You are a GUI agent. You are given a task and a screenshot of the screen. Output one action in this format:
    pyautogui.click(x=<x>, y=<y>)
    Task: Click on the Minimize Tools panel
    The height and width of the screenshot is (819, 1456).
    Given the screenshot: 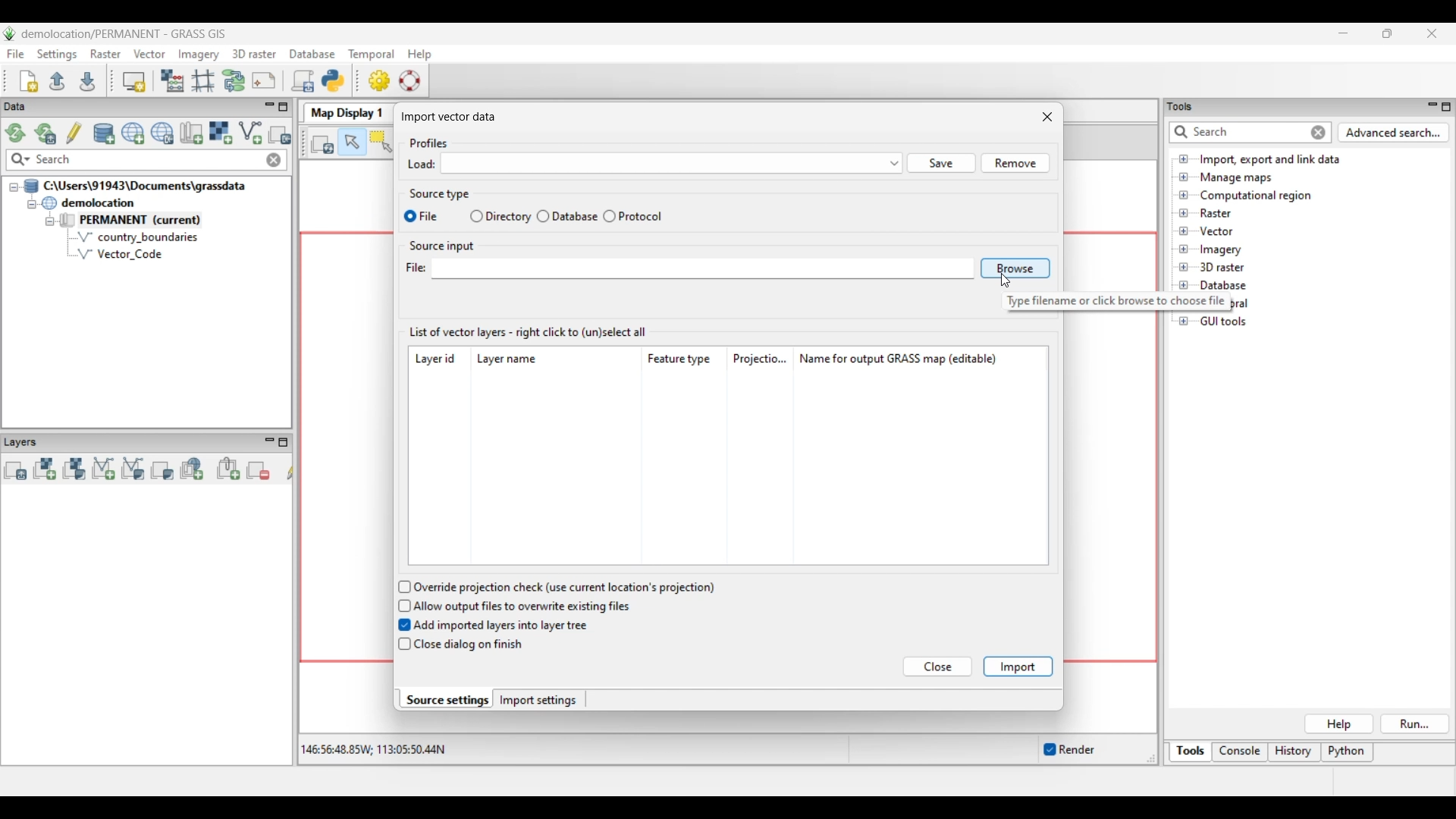 What is the action you would take?
    pyautogui.click(x=1430, y=106)
    